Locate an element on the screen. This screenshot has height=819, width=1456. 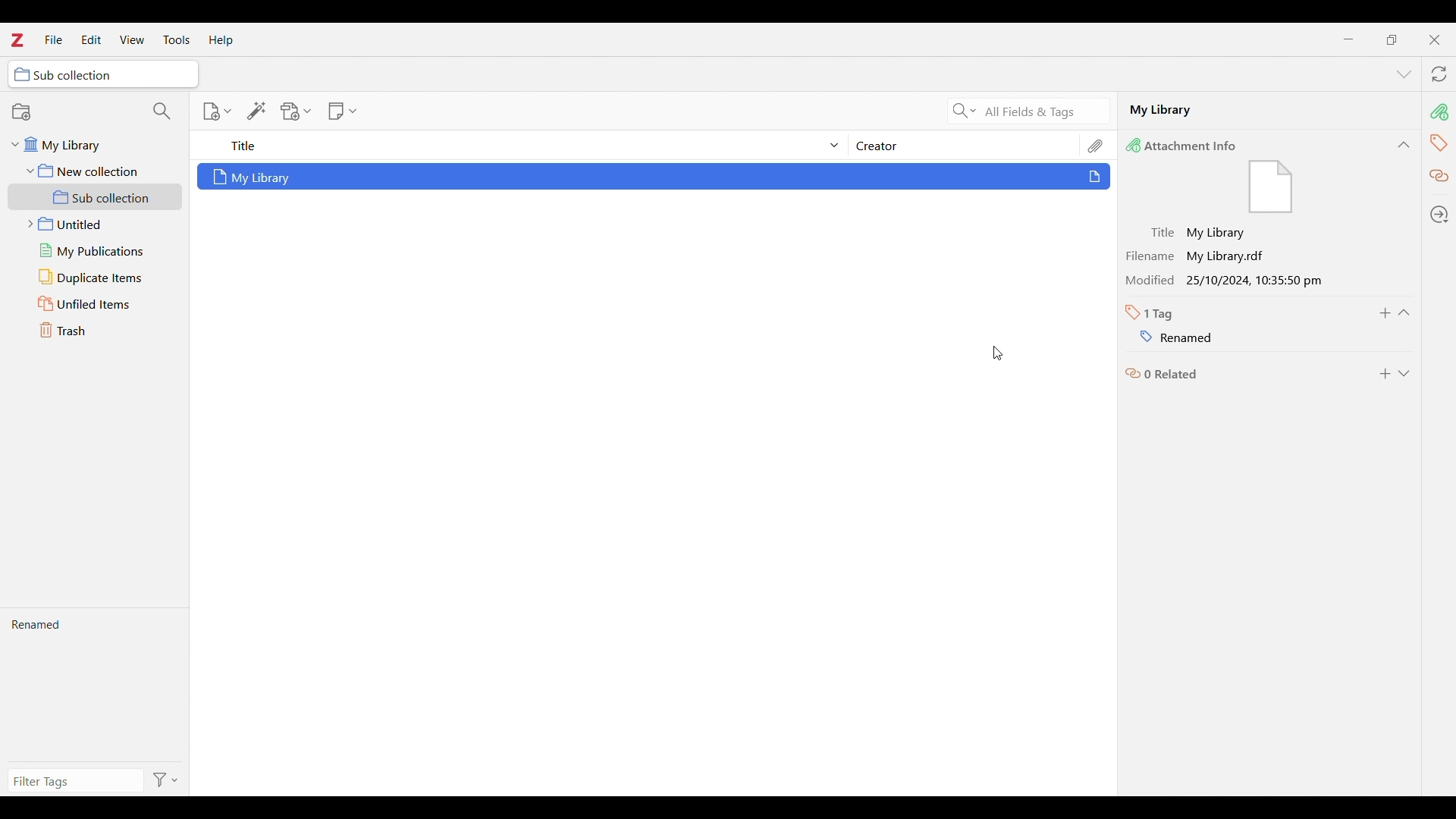
Creator column is located at coordinates (963, 145).